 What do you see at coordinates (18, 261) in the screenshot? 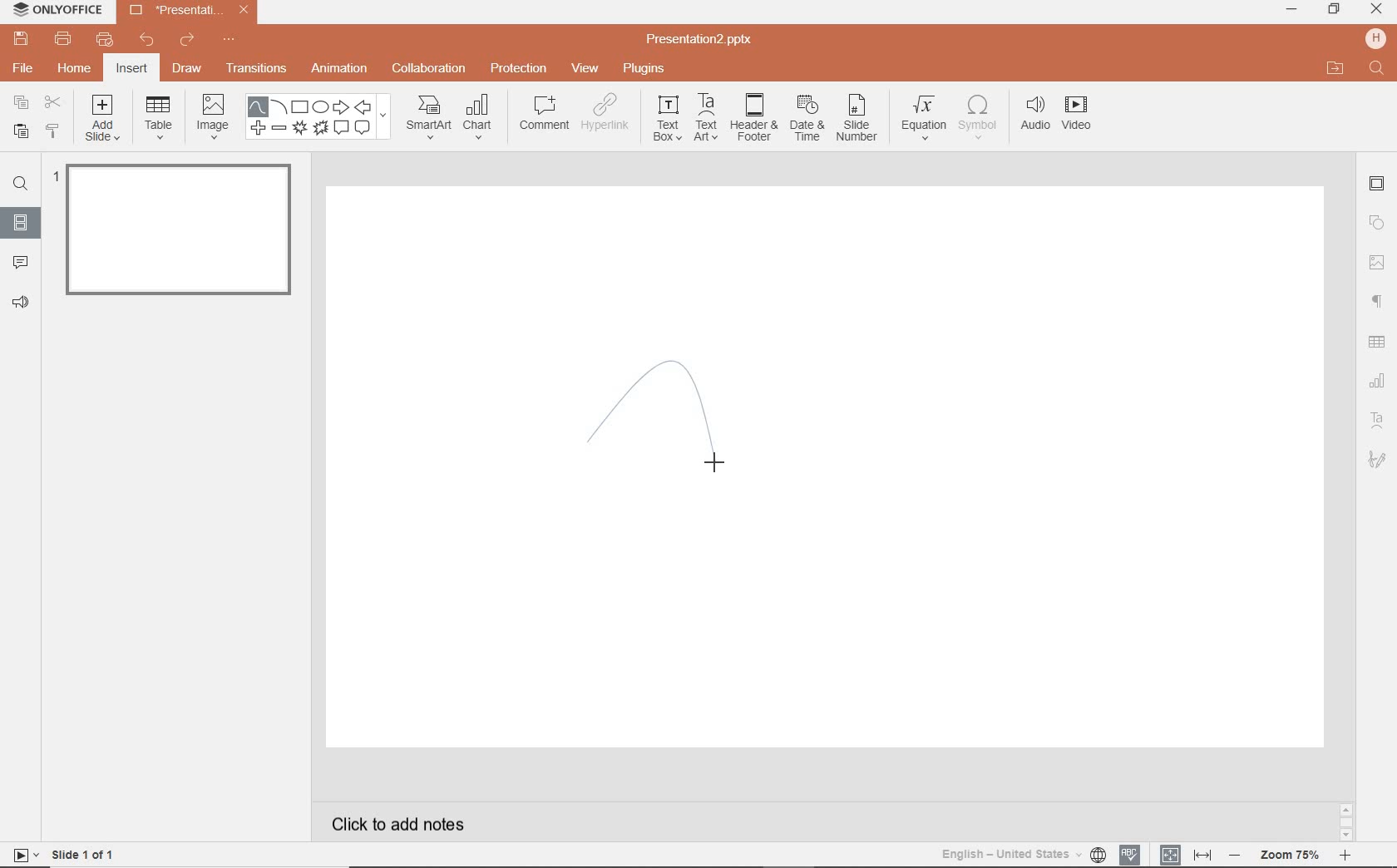
I see `COMMENTS` at bounding box center [18, 261].